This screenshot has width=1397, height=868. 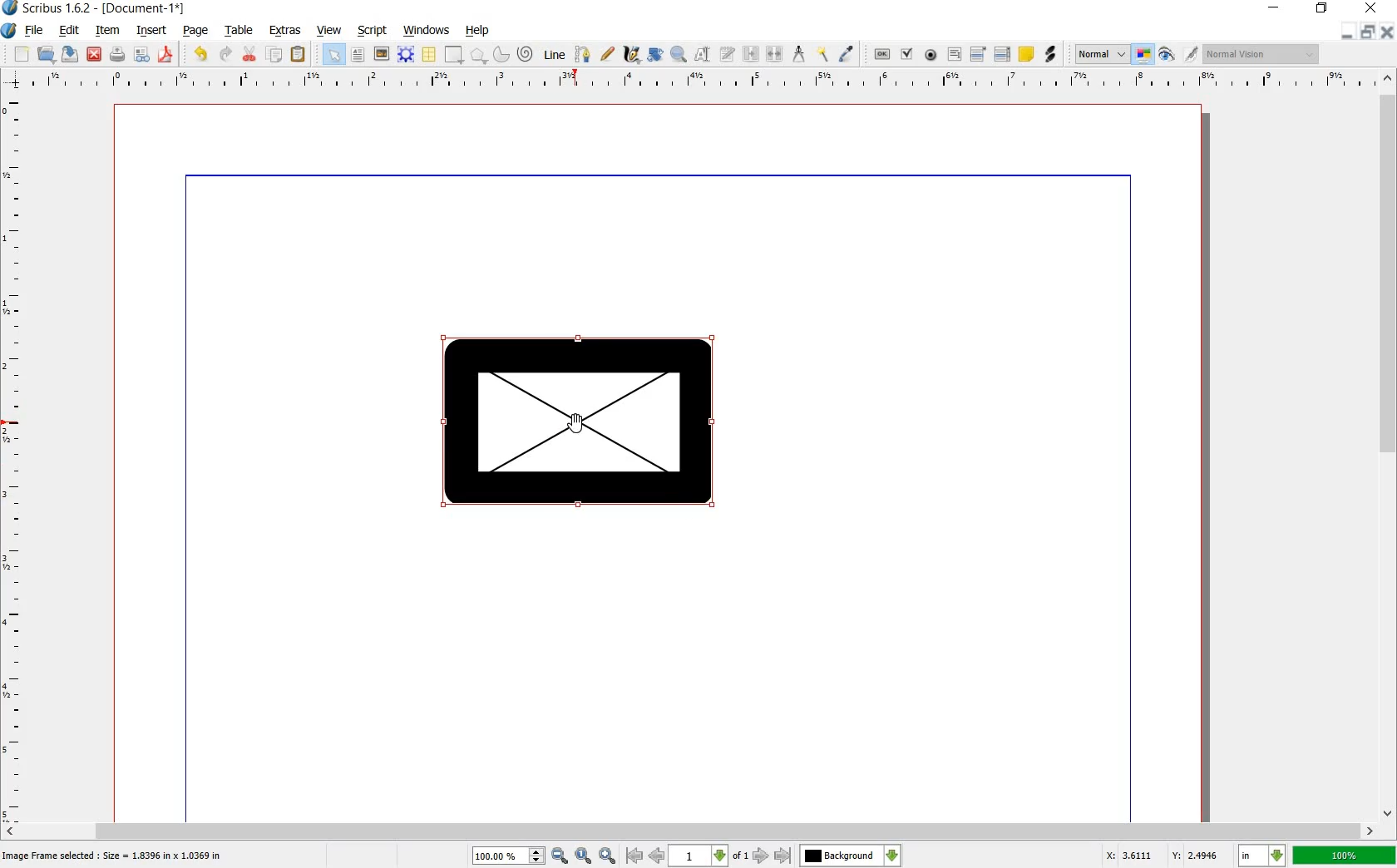 What do you see at coordinates (1260, 55) in the screenshot?
I see `visual appearance of the display` at bounding box center [1260, 55].